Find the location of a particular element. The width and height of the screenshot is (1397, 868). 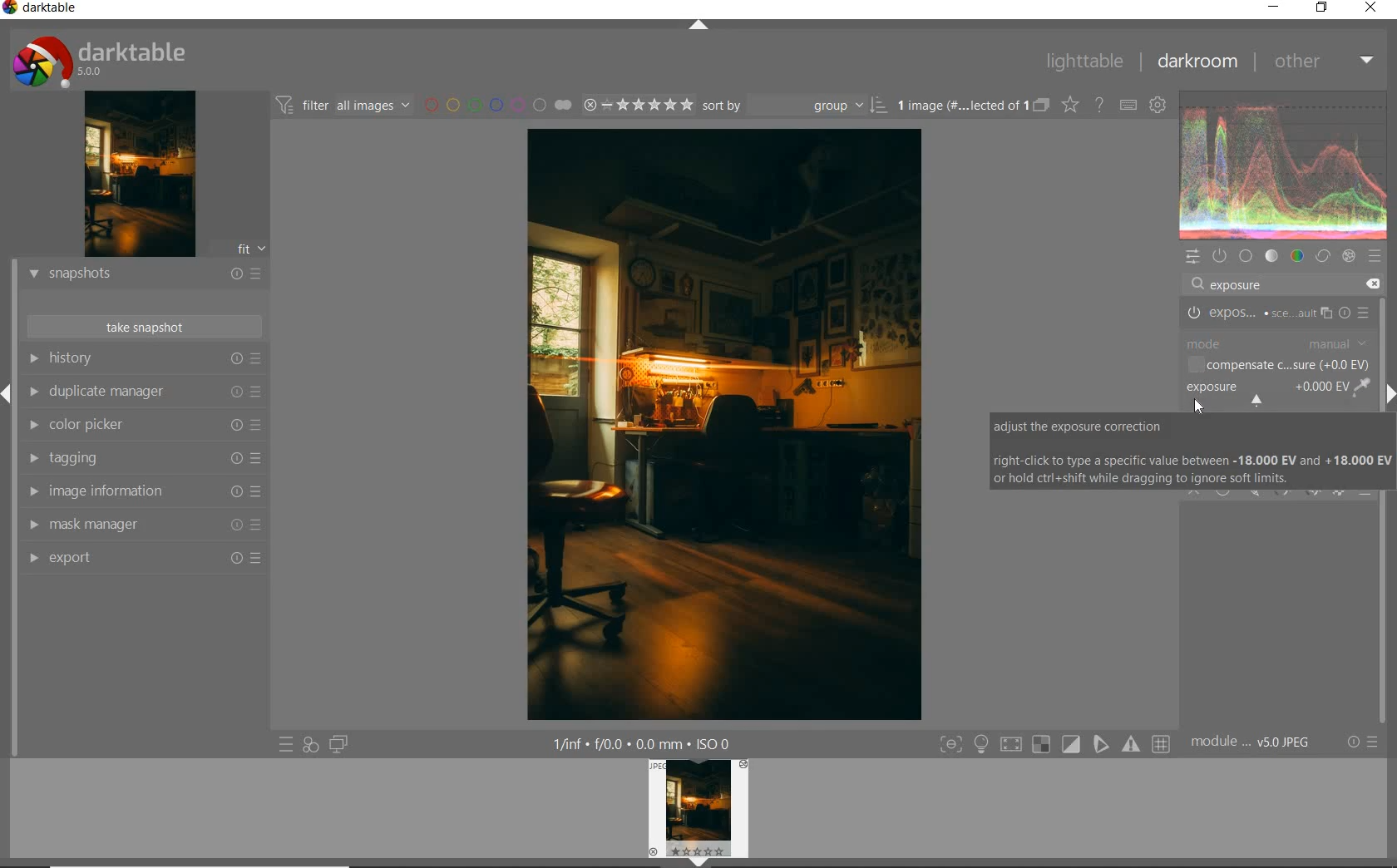

history is located at coordinates (146, 358).